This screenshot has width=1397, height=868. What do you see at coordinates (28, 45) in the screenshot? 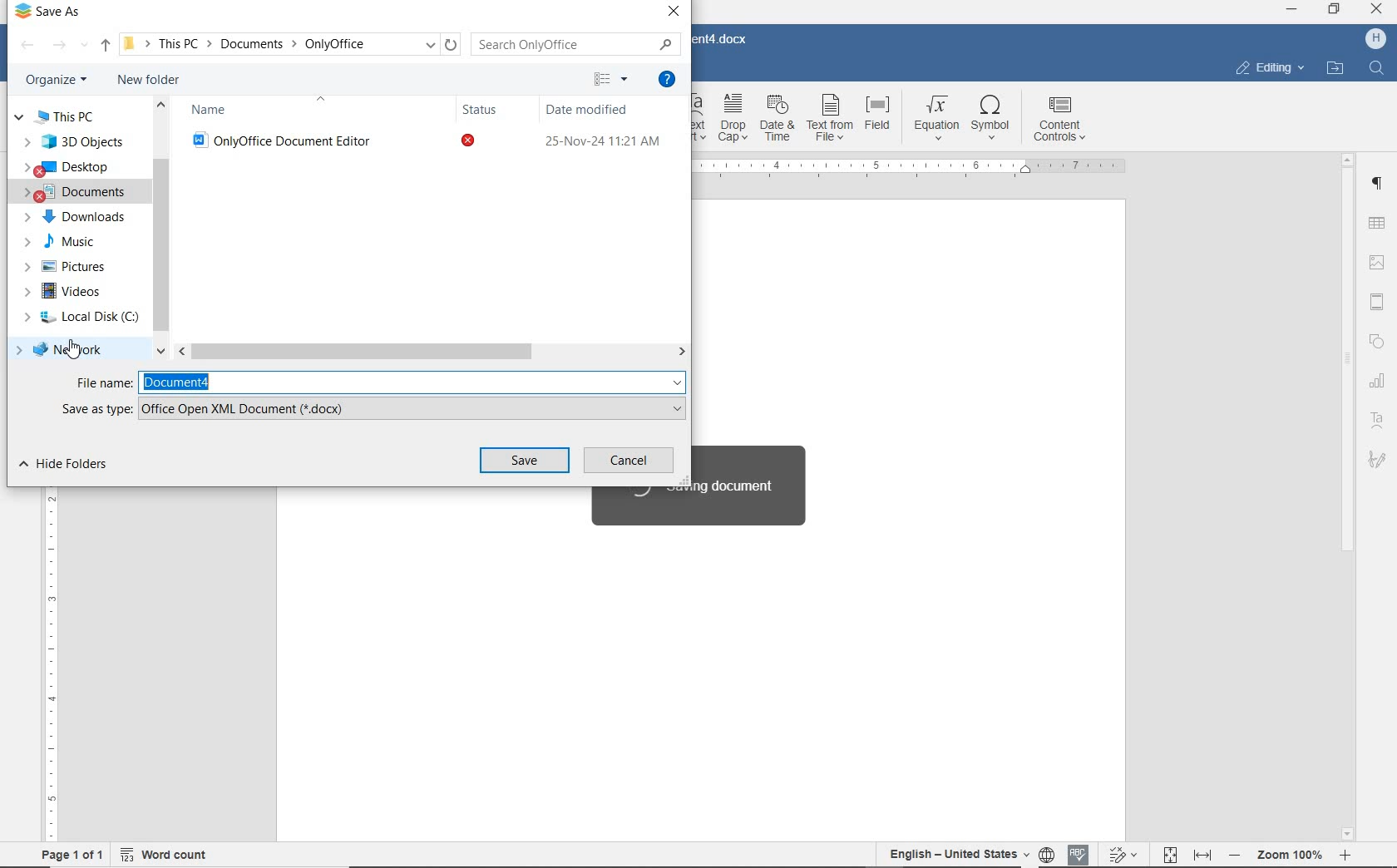
I see `backward` at bounding box center [28, 45].